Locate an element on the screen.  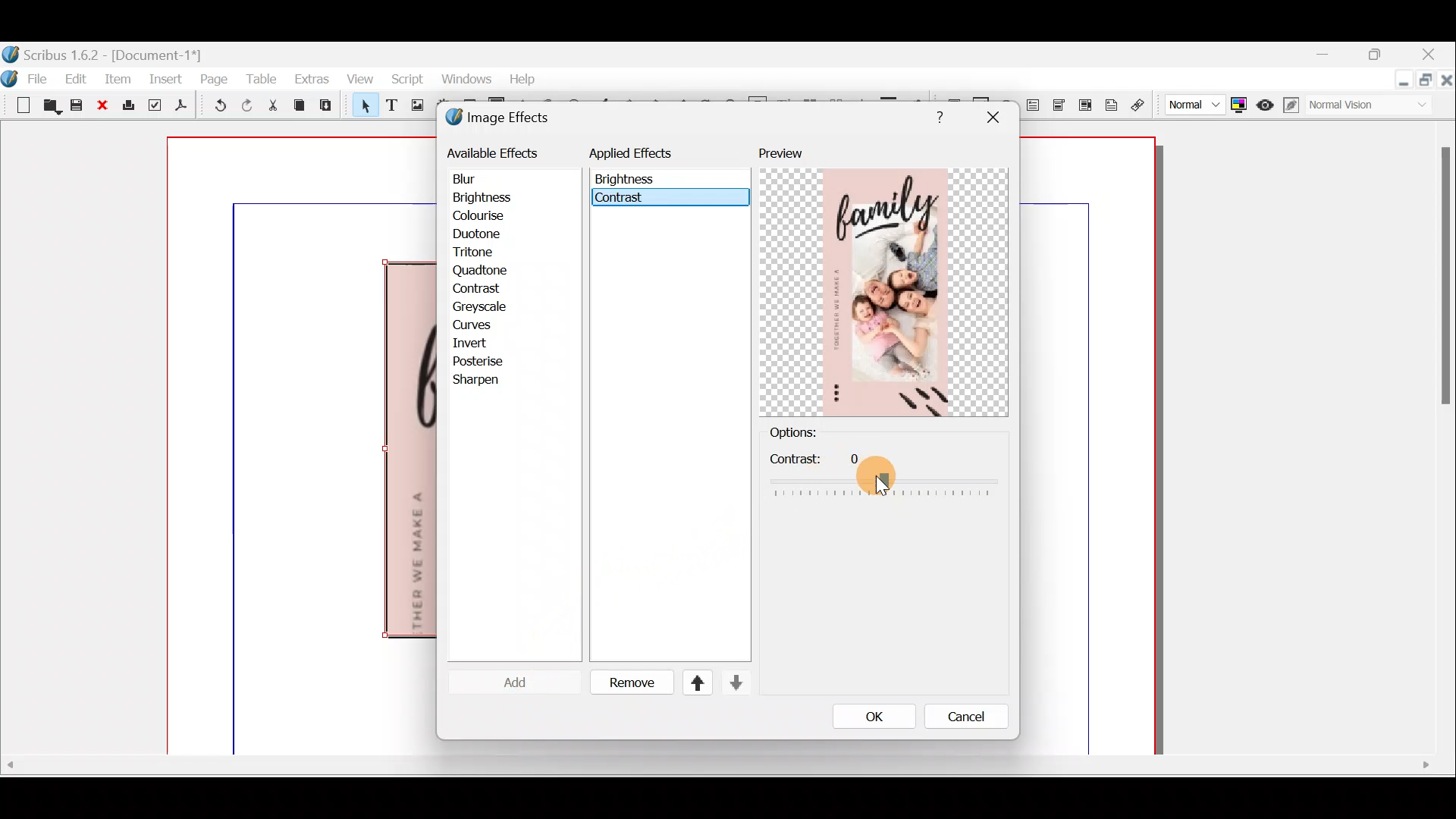
Extras is located at coordinates (311, 78).